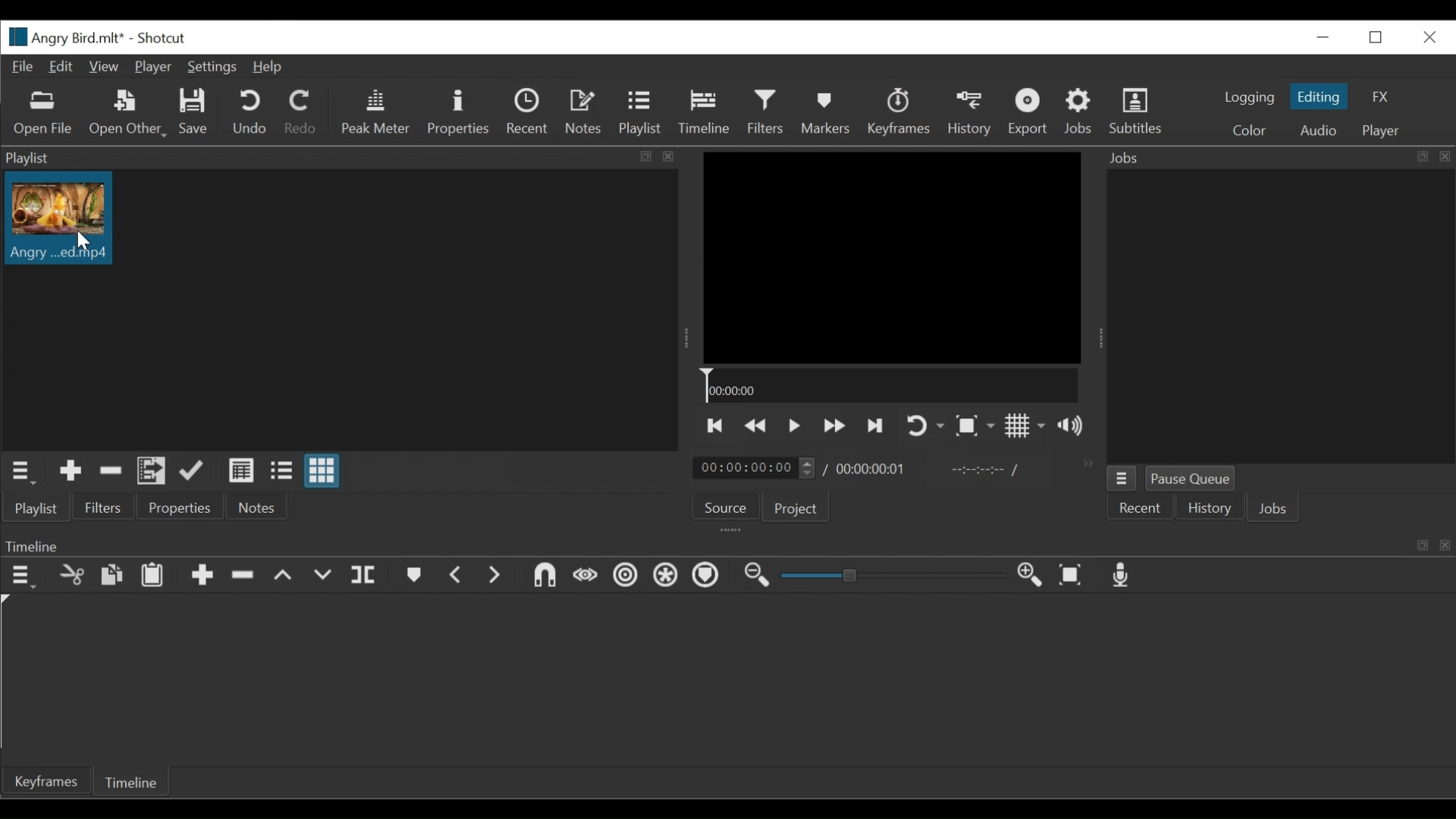 This screenshot has height=819, width=1456. Describe the element at coordinates (166, 37) in the screenshot. I see `Shotcut` at that location.